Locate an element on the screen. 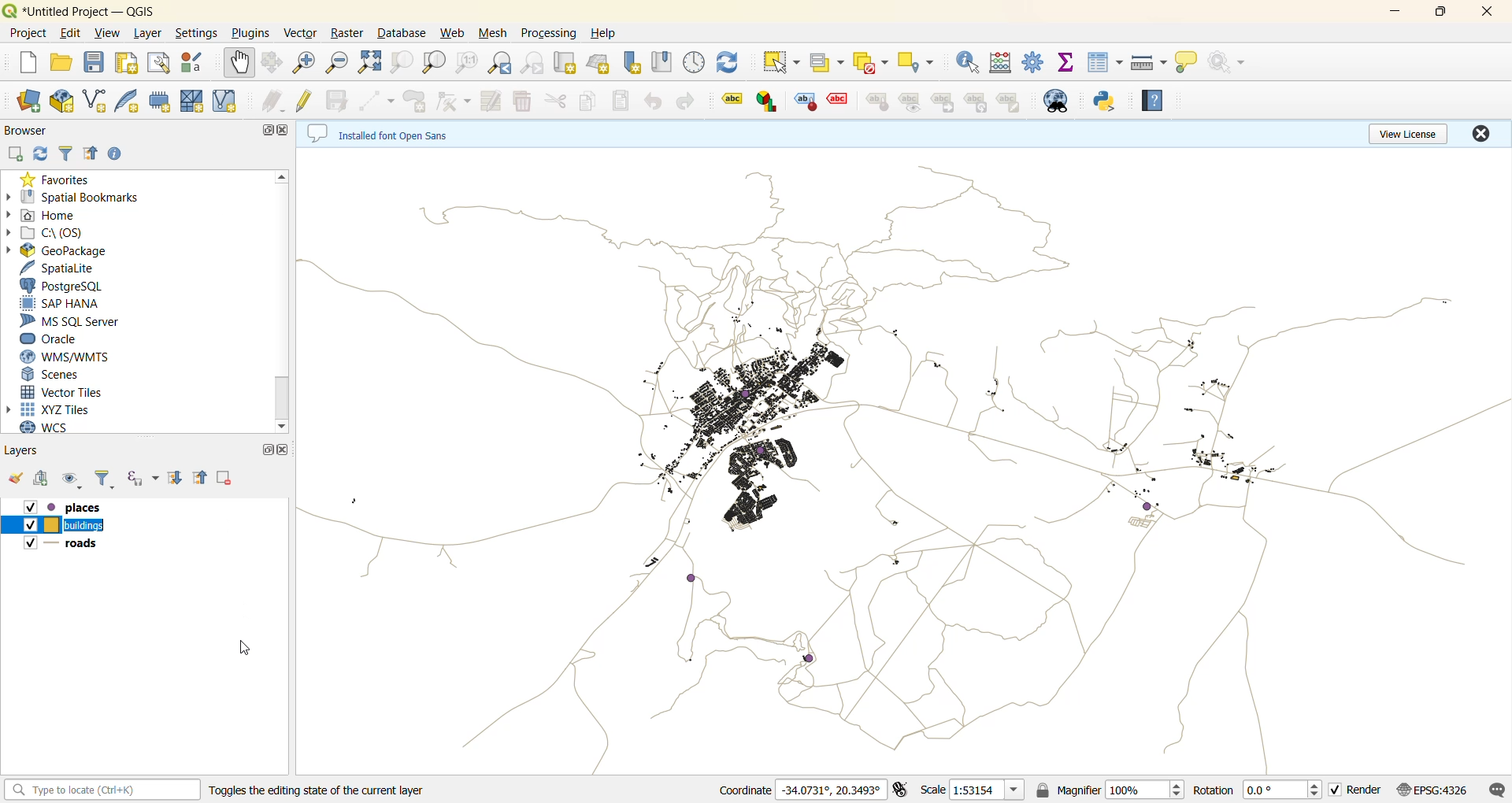 The width and height of the screenshot is (1512, 803). open is located at coordinates (61, 65).